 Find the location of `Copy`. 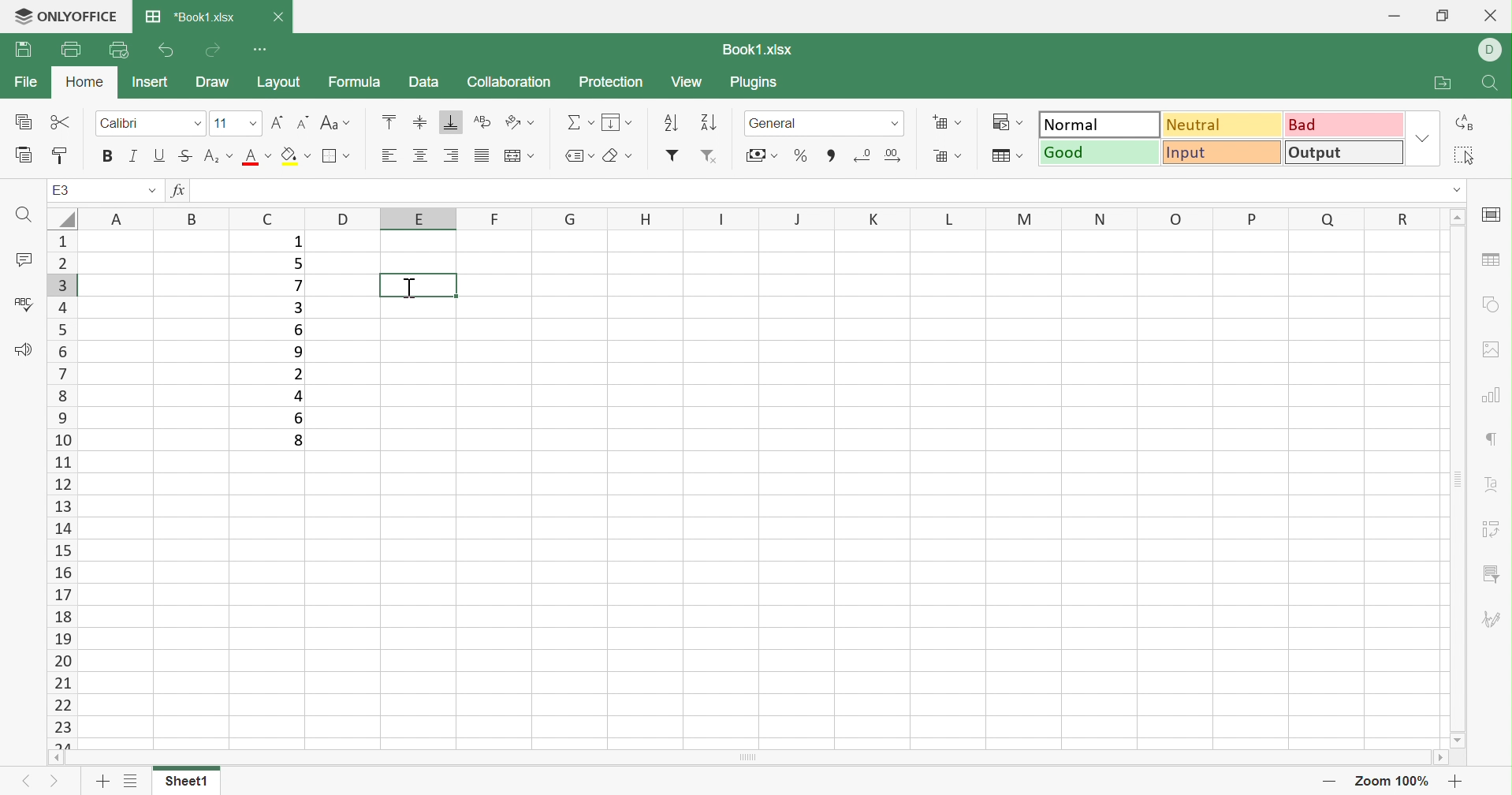

Copy is located at coordinates (21, 123).